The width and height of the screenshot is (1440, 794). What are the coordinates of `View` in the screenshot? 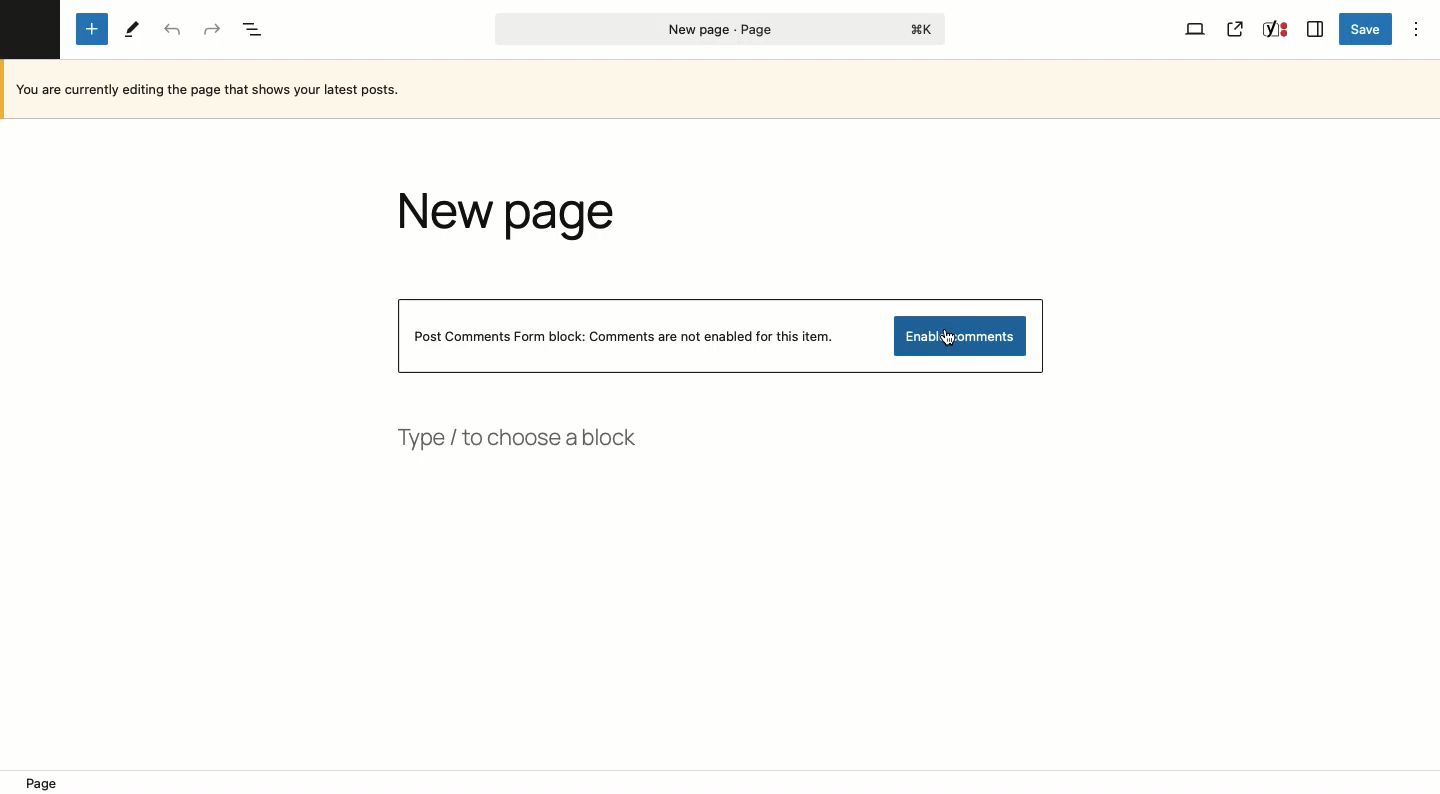 It's located at (1196, 27).